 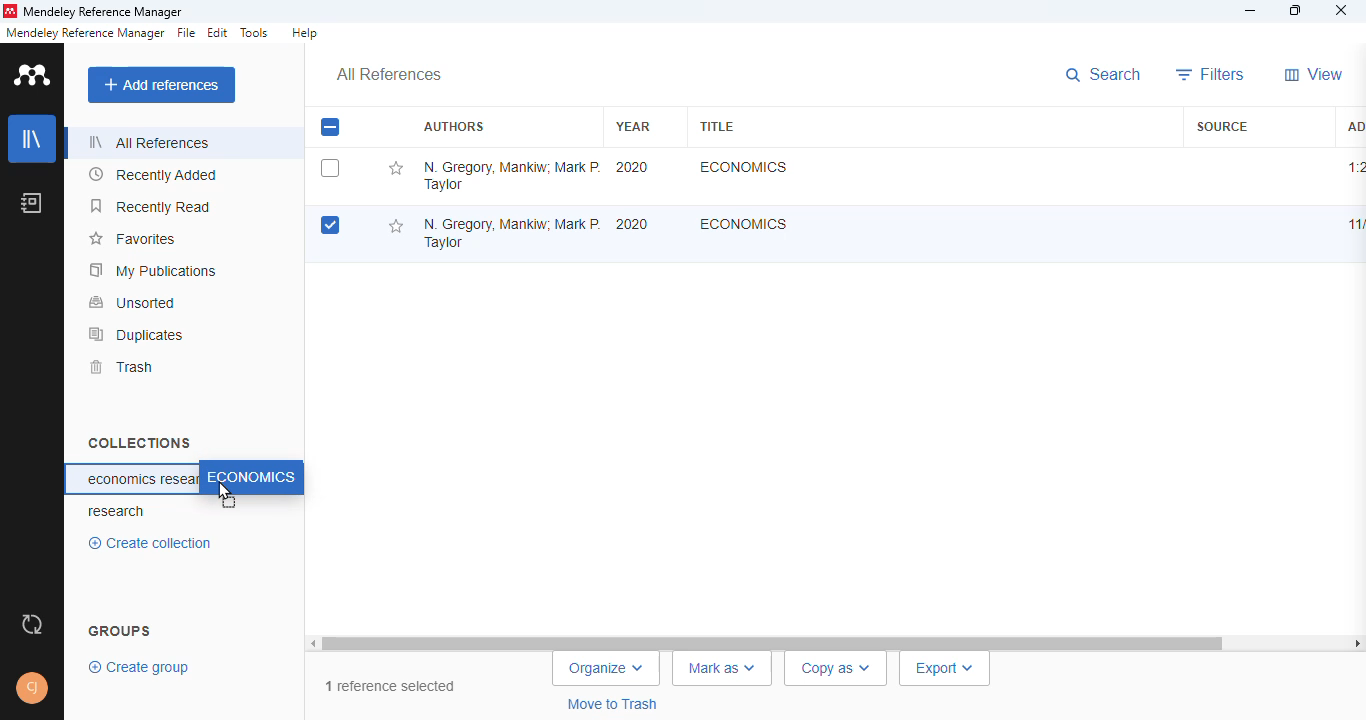 What do you see at coordinates (741, 167) in the screenshot?
I see `Economics` at bounding box center [741, 167].